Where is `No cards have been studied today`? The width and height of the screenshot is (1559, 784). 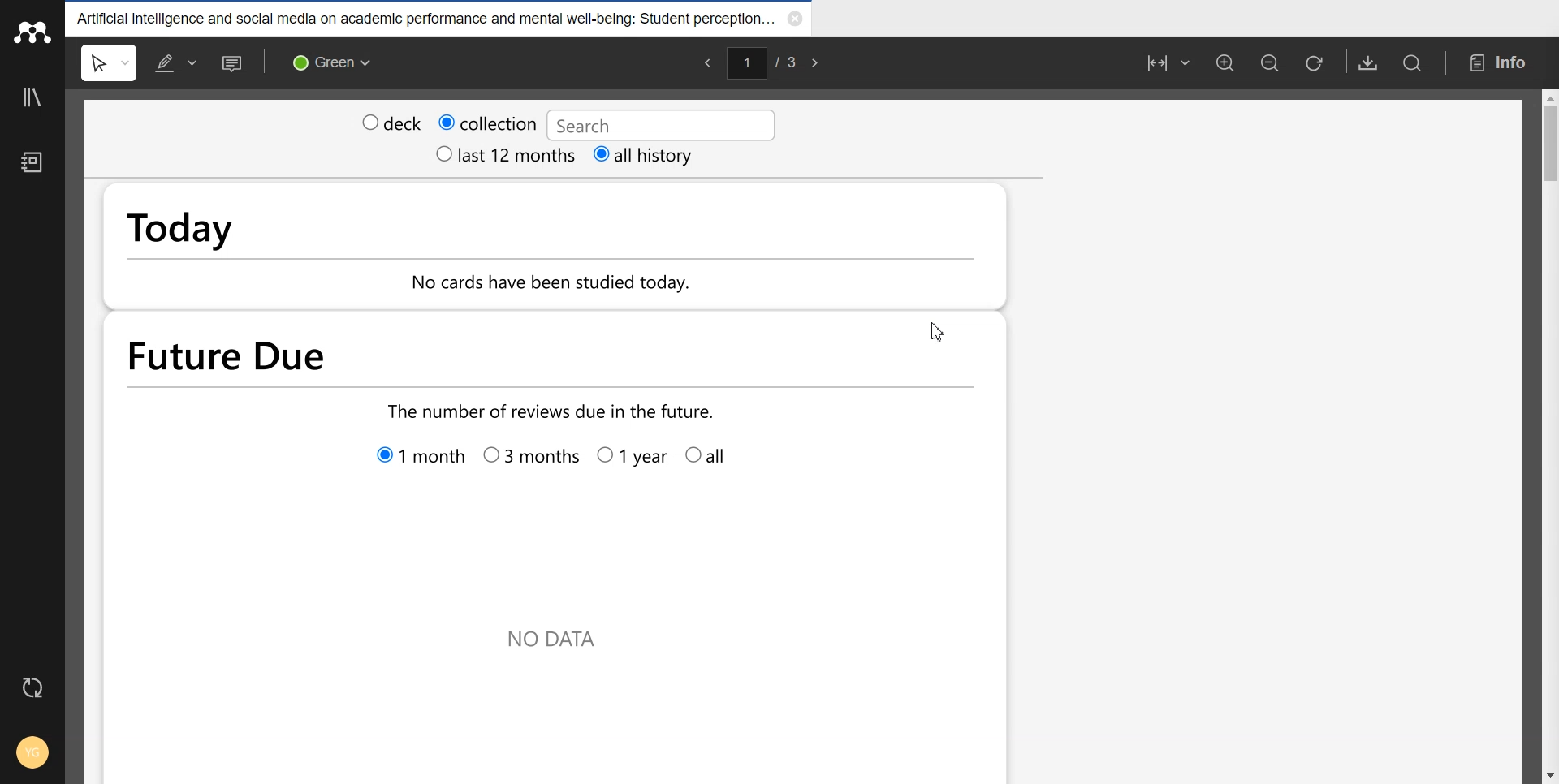 No cards have been studied today is located at coordinates (581, 286).